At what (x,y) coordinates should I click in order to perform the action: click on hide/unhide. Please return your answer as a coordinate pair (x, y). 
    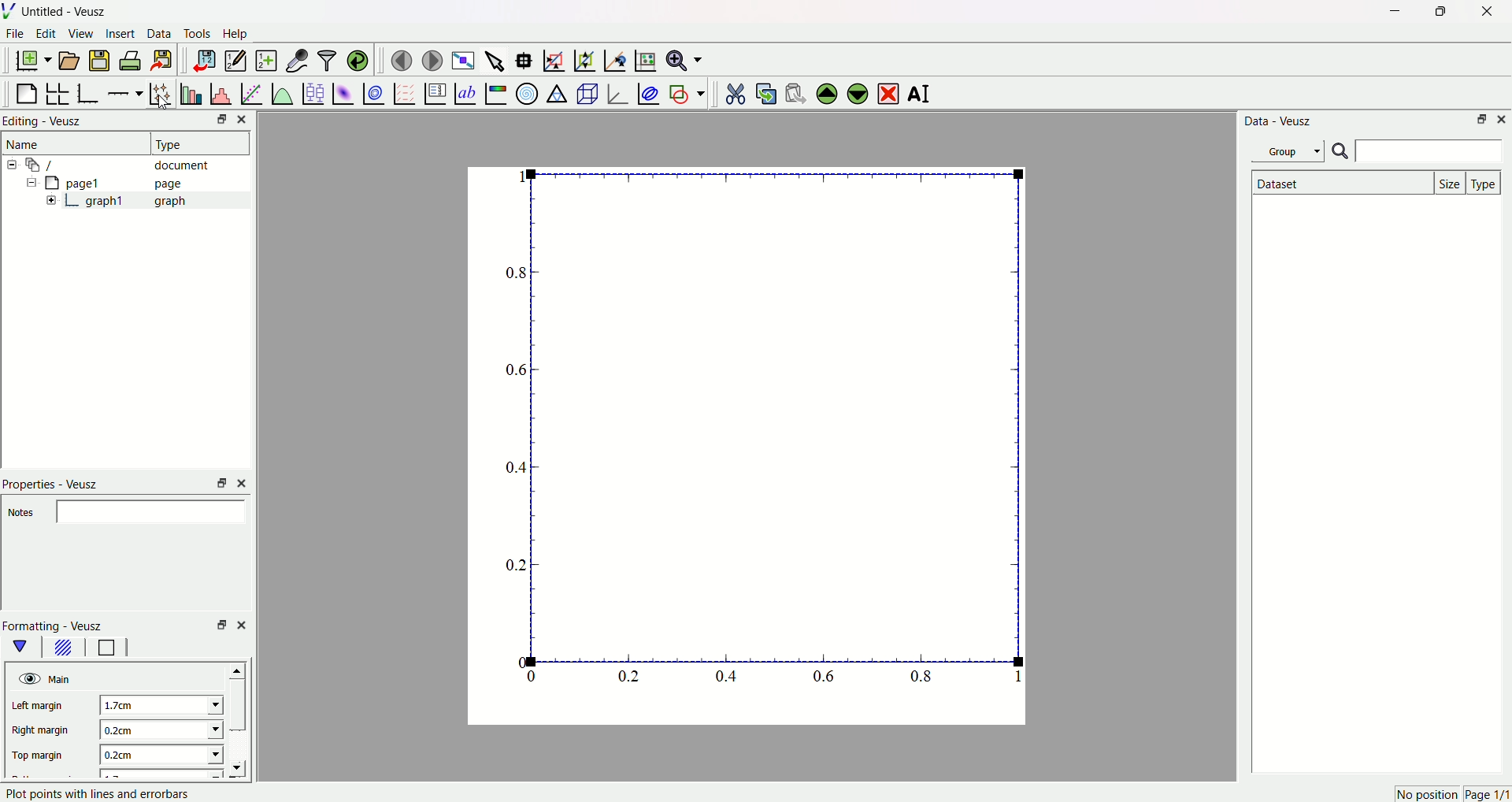
    Looking at the image, I should click on (28, 678).